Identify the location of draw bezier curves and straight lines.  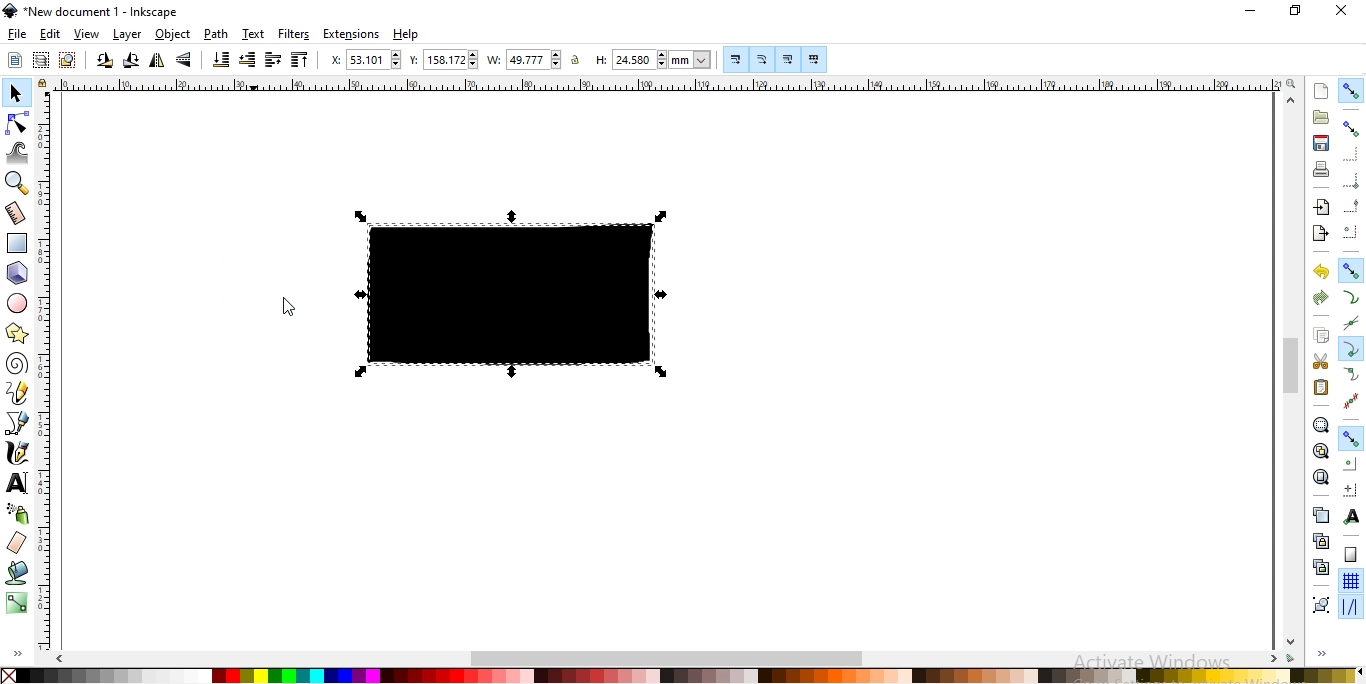
(18, 423).